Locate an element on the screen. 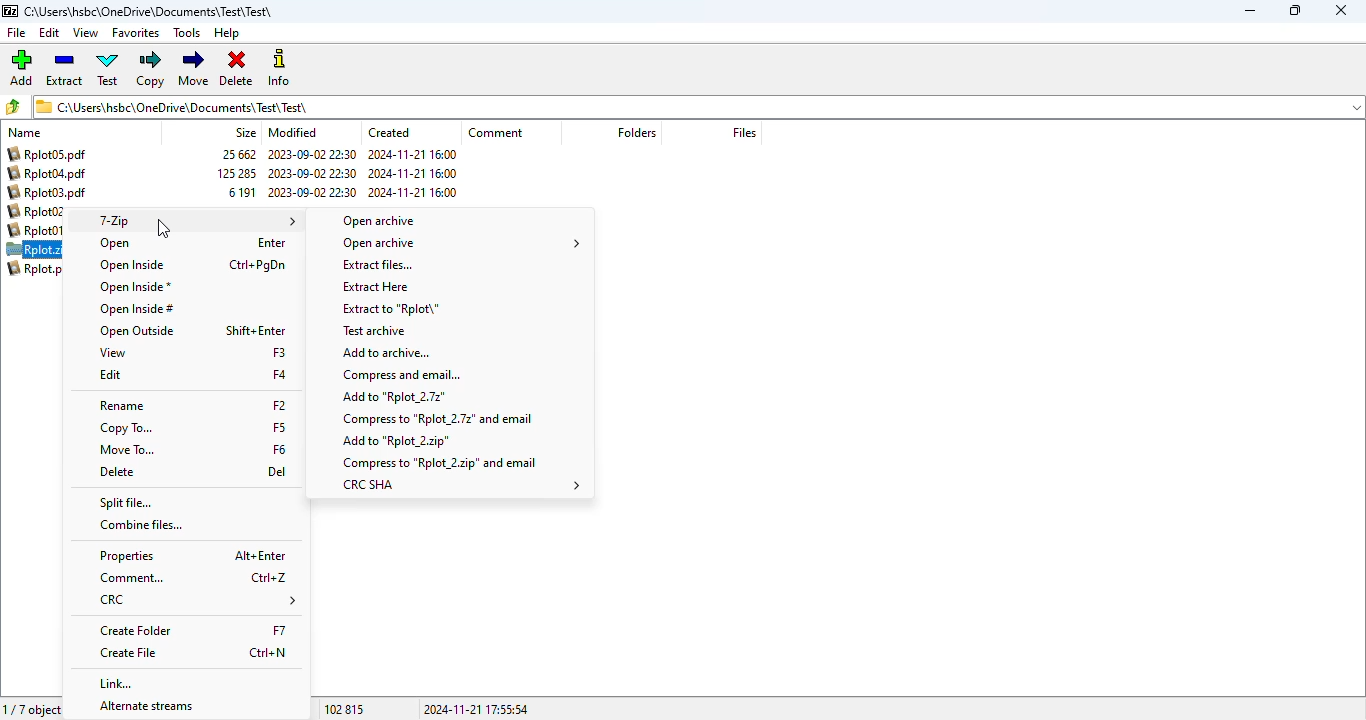  Shift + Enter is located at coordinates (256, 330).